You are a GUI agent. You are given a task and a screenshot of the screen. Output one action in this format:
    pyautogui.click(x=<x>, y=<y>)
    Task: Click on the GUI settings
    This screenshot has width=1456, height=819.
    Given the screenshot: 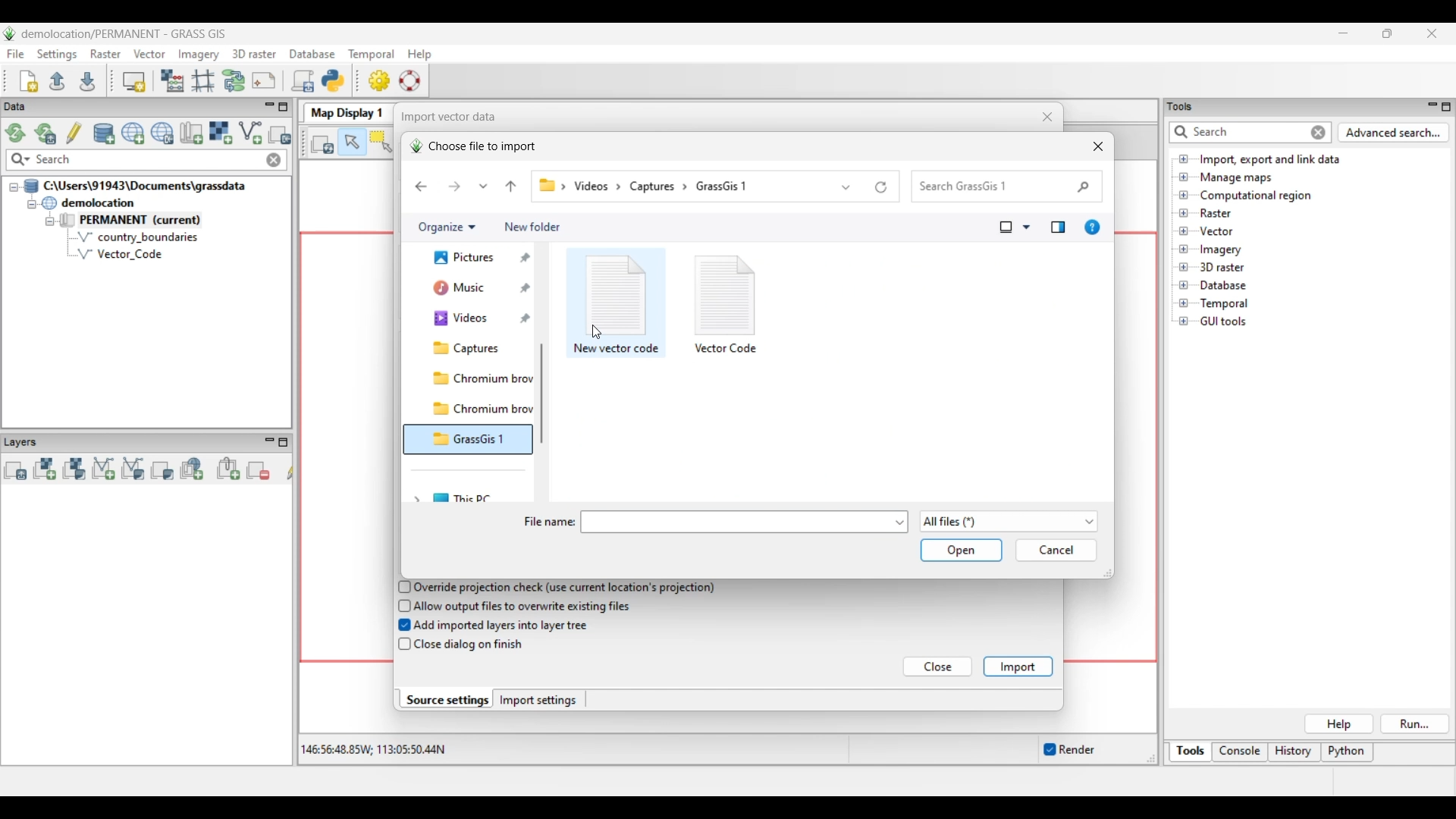 What is the action you would take?
    pyautogui.click(x=380, y=80)
    